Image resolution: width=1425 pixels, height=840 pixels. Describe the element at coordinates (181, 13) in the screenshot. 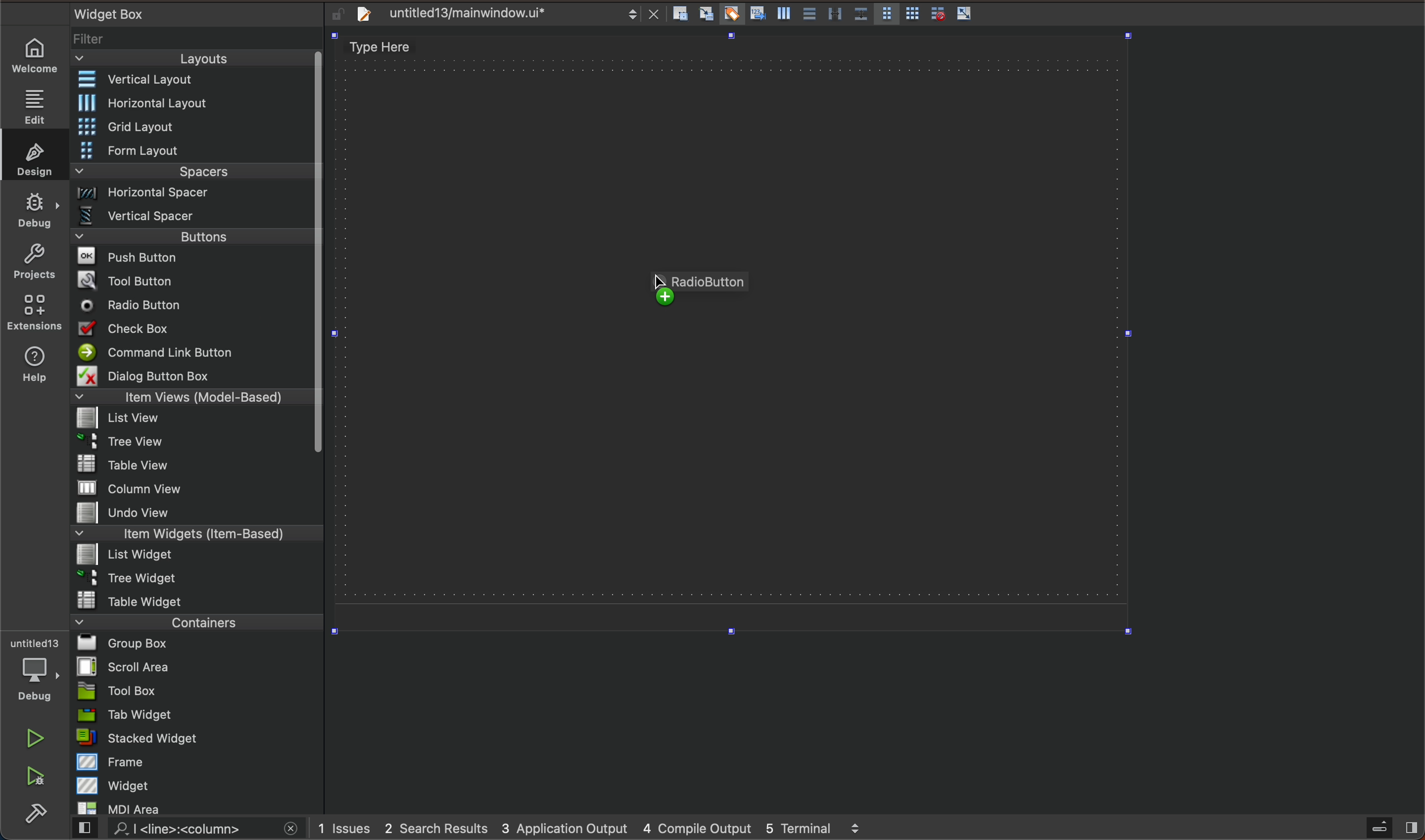

I see `widget box` at that location.